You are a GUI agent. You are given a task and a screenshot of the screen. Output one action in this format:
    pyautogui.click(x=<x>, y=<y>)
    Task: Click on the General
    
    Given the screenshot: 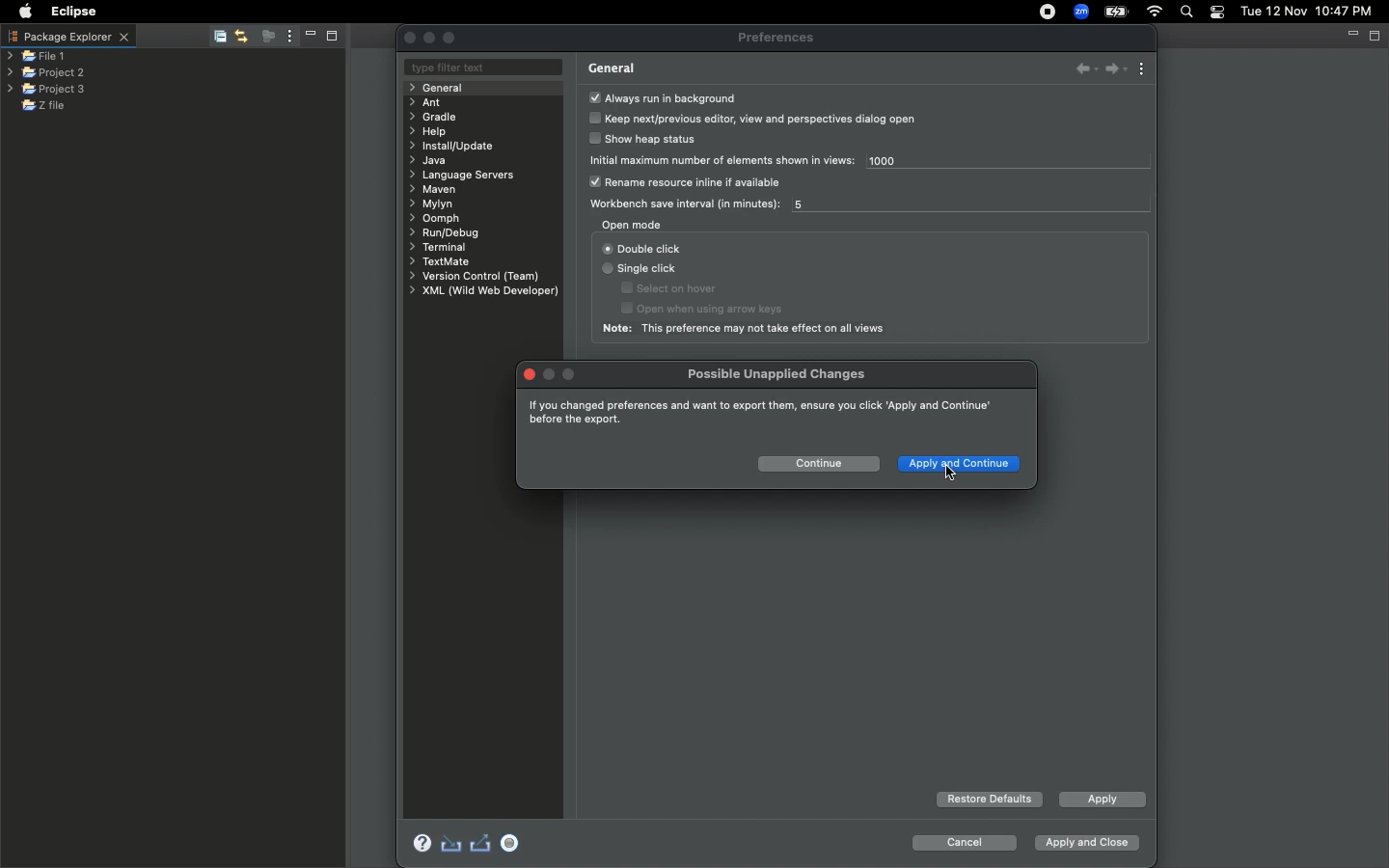 What is the action you would take?
    pyautogui.click(x=612, y=68)
    